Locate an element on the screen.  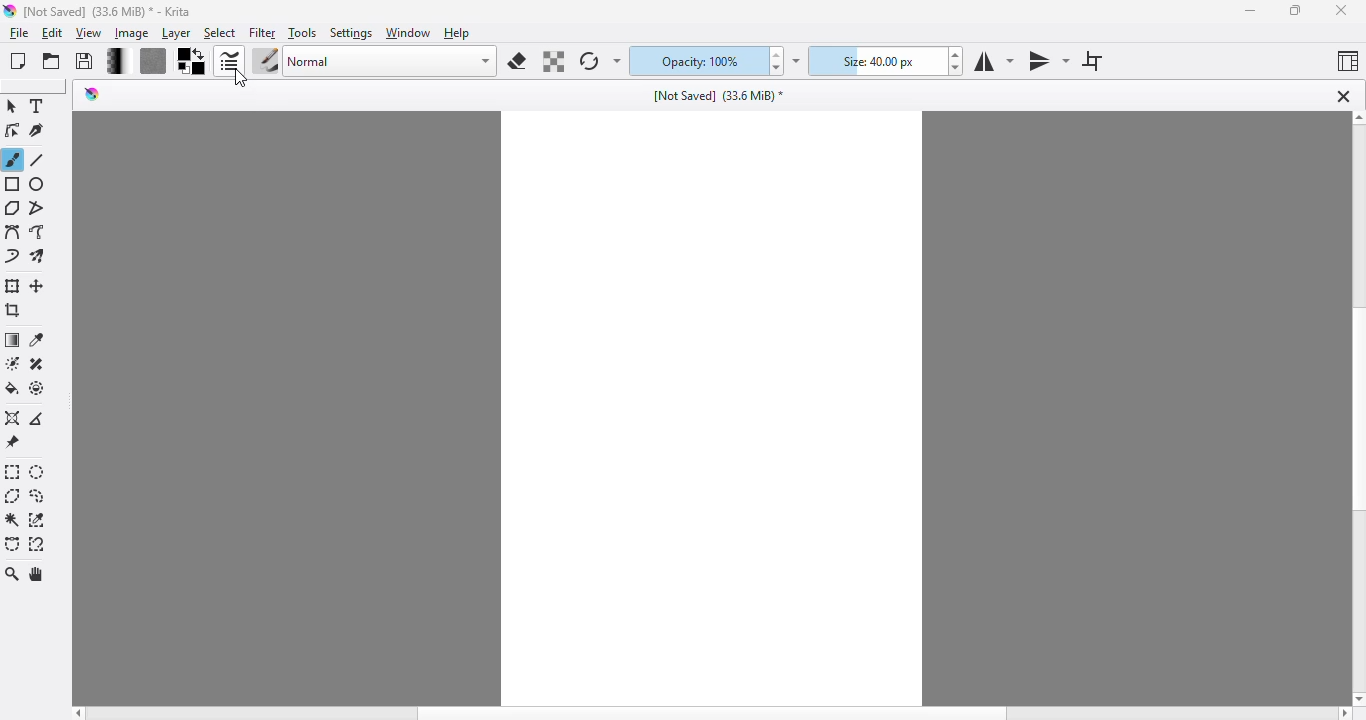
choose workspace is located at coordinates (1347, 63).